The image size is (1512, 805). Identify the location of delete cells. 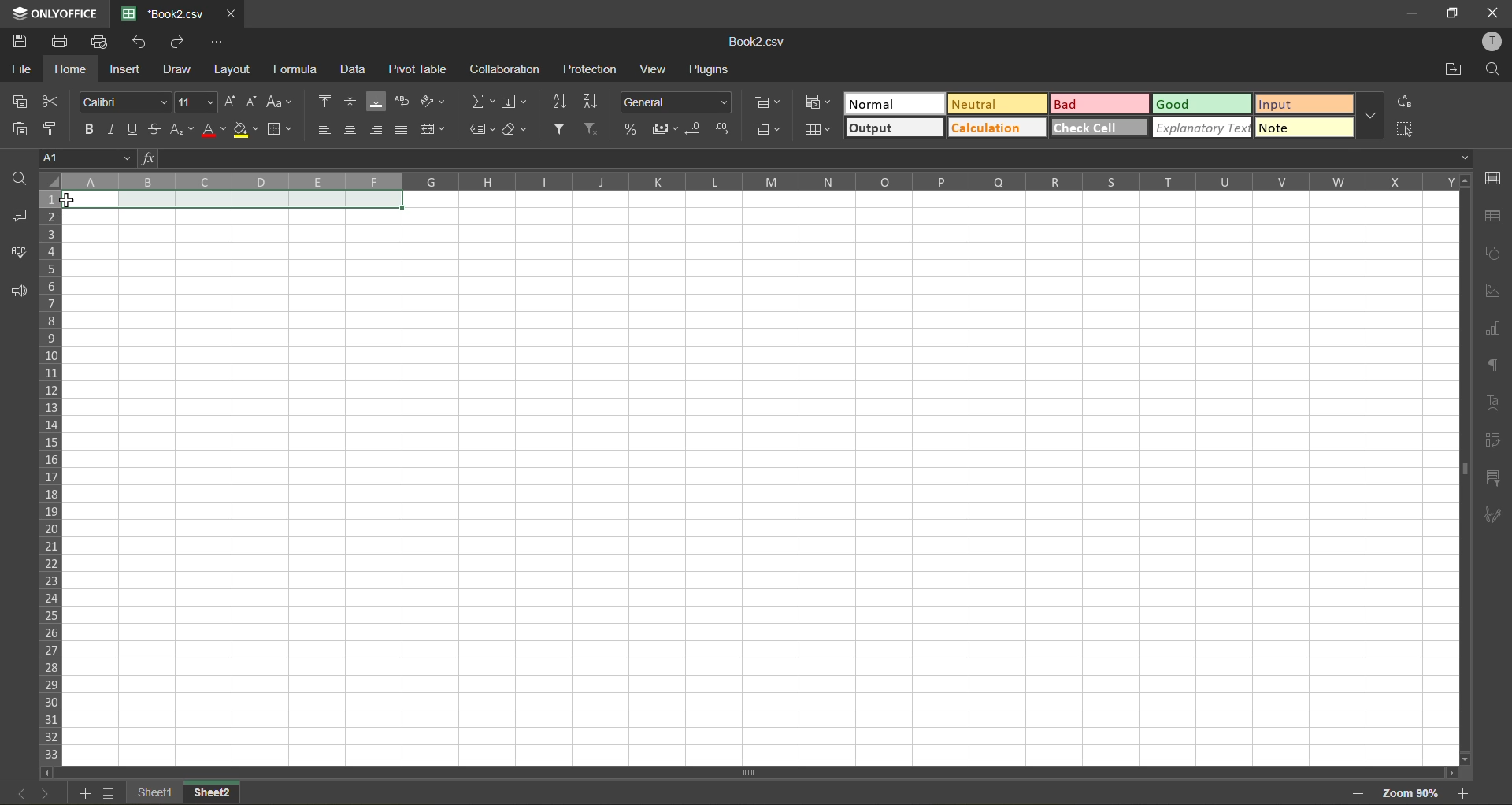
(767, 132).